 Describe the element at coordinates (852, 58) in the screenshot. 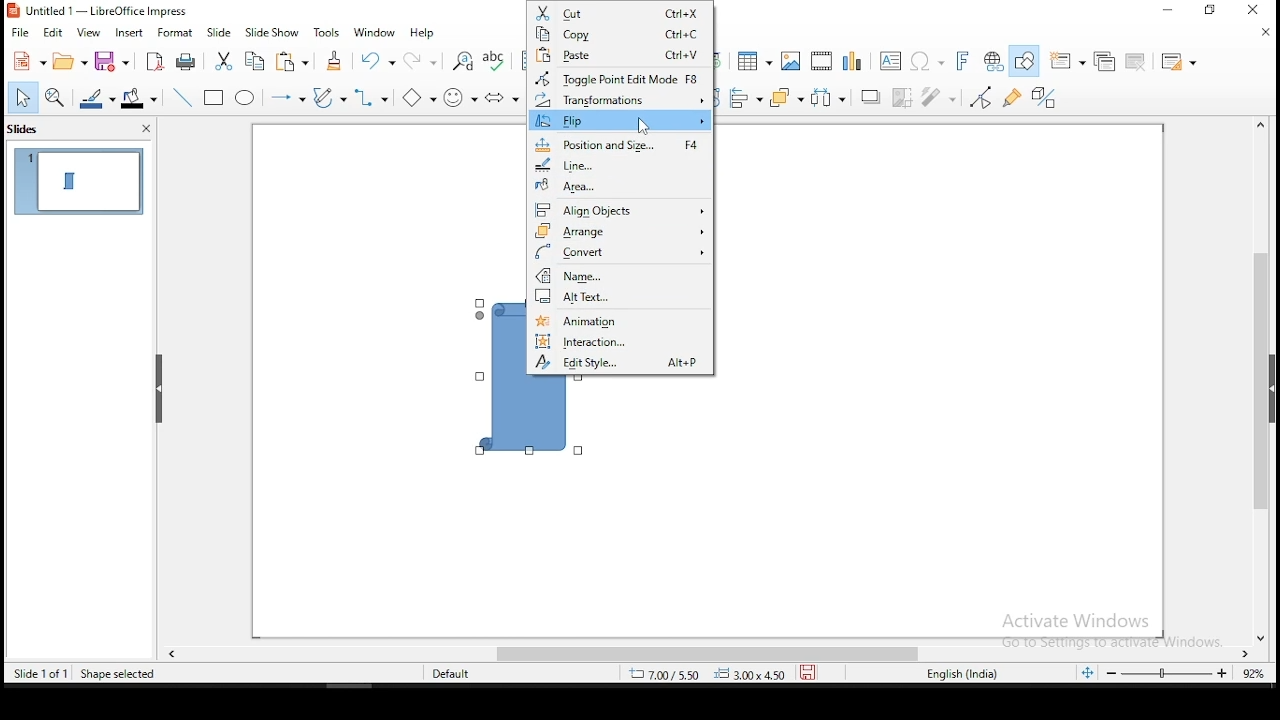

I see `charts` at that location.